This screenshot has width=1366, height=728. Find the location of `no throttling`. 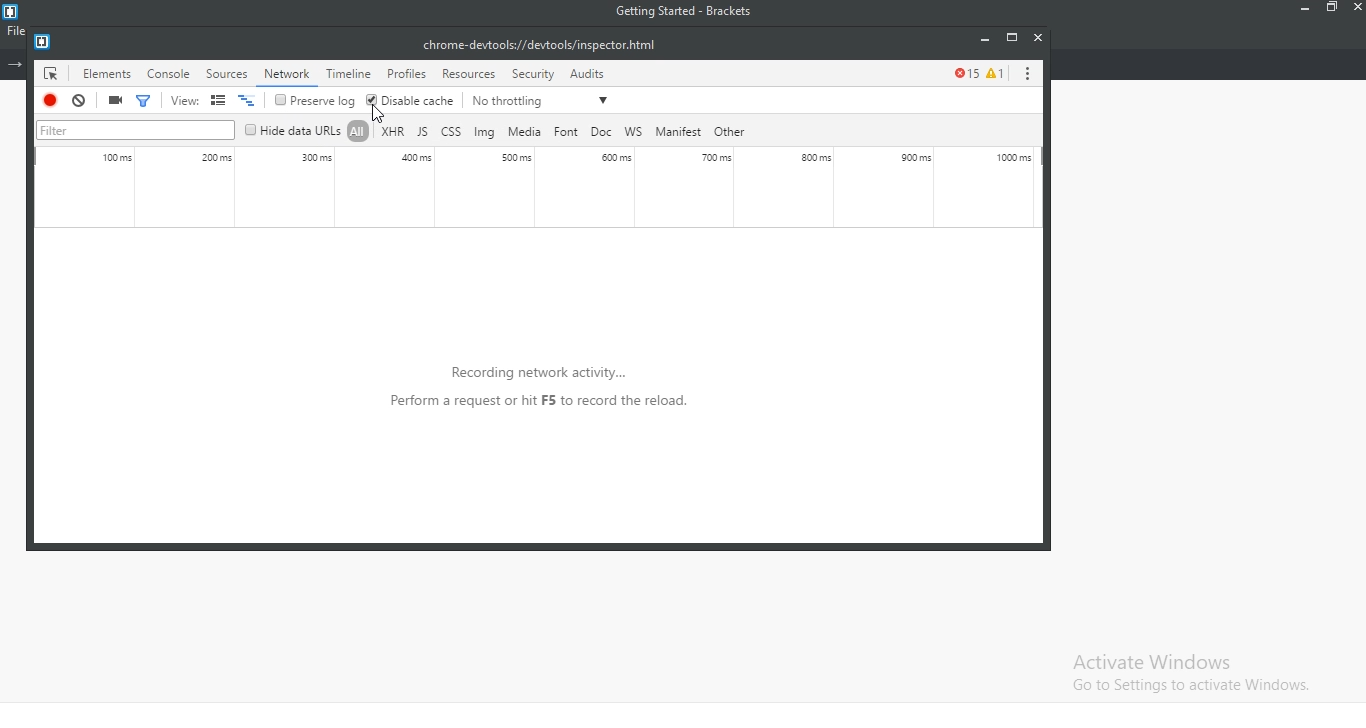

no throttling is located at coordinates (542, 99).